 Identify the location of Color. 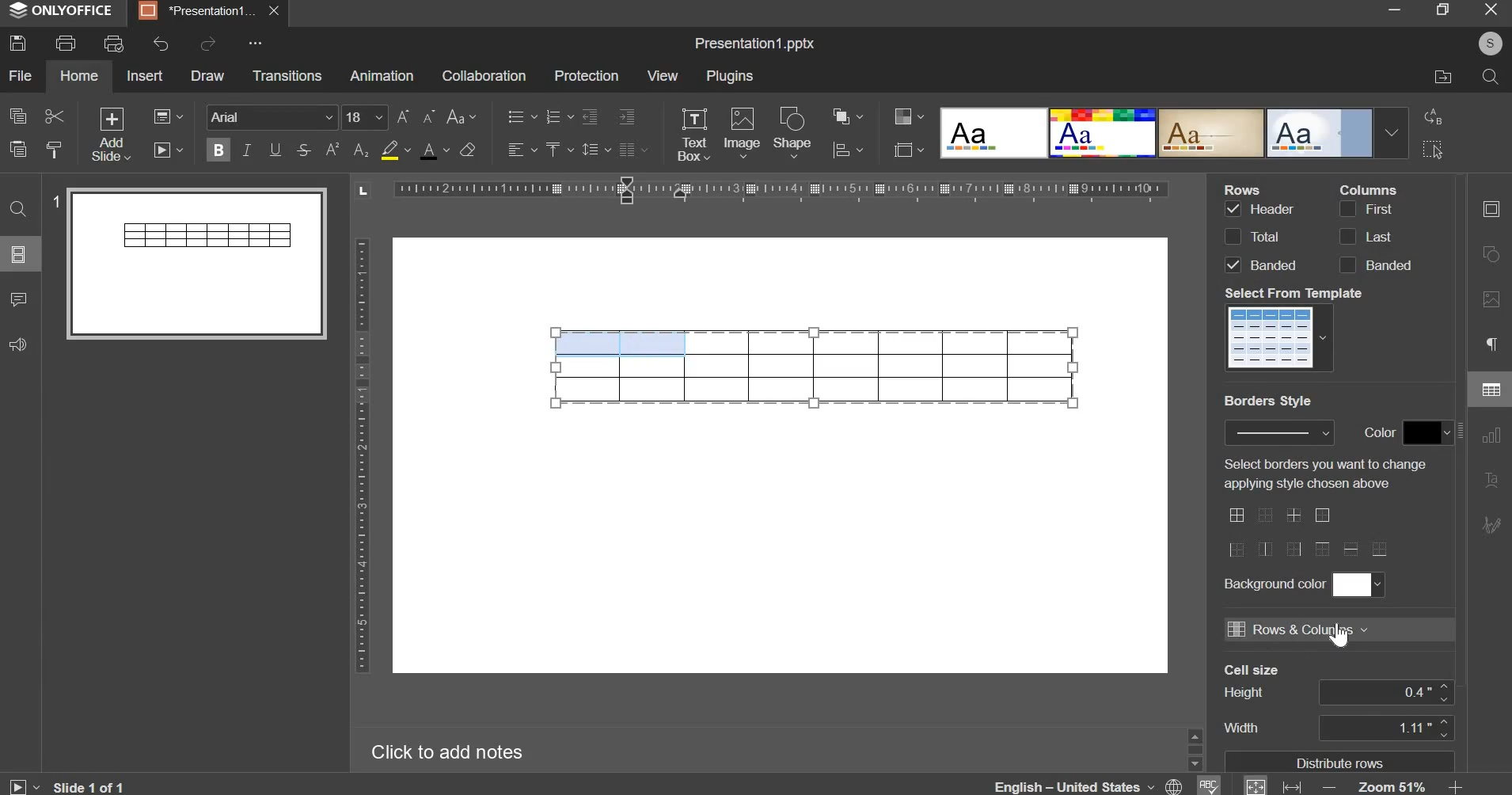
(1381, 432).